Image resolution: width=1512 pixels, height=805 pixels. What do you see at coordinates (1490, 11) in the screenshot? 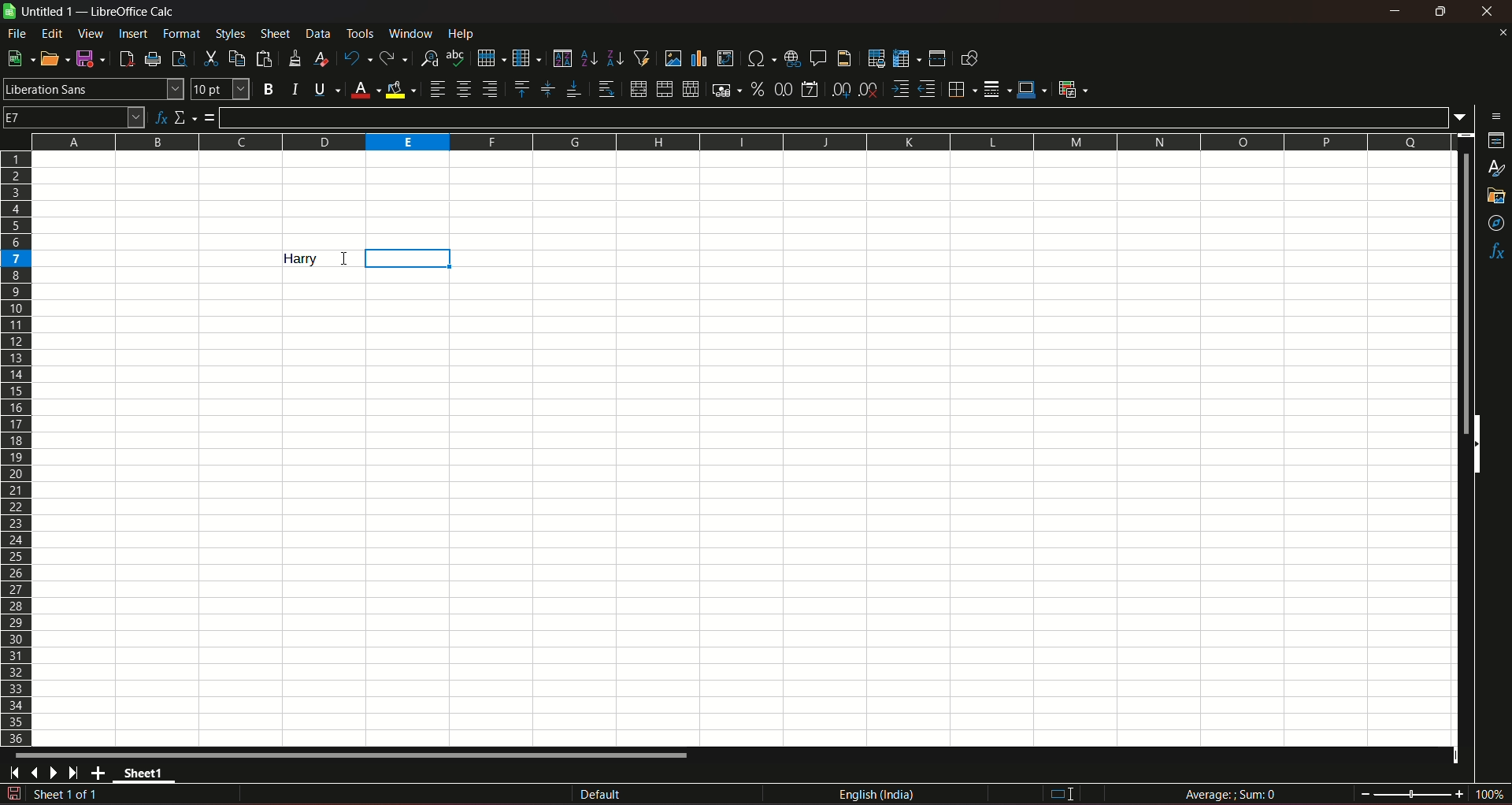
I see `close` at bounding box center [1490, 11].